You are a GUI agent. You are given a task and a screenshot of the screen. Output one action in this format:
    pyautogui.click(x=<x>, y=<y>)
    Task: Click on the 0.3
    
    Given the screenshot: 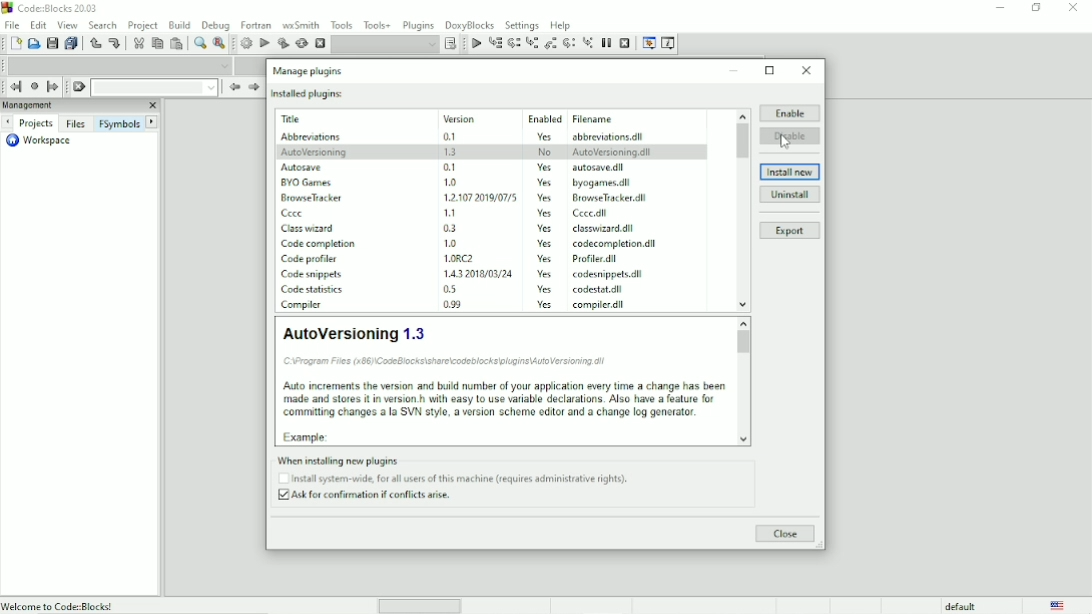 What is the action you would take?
    pyautogui.click(x=451, y=228)
    